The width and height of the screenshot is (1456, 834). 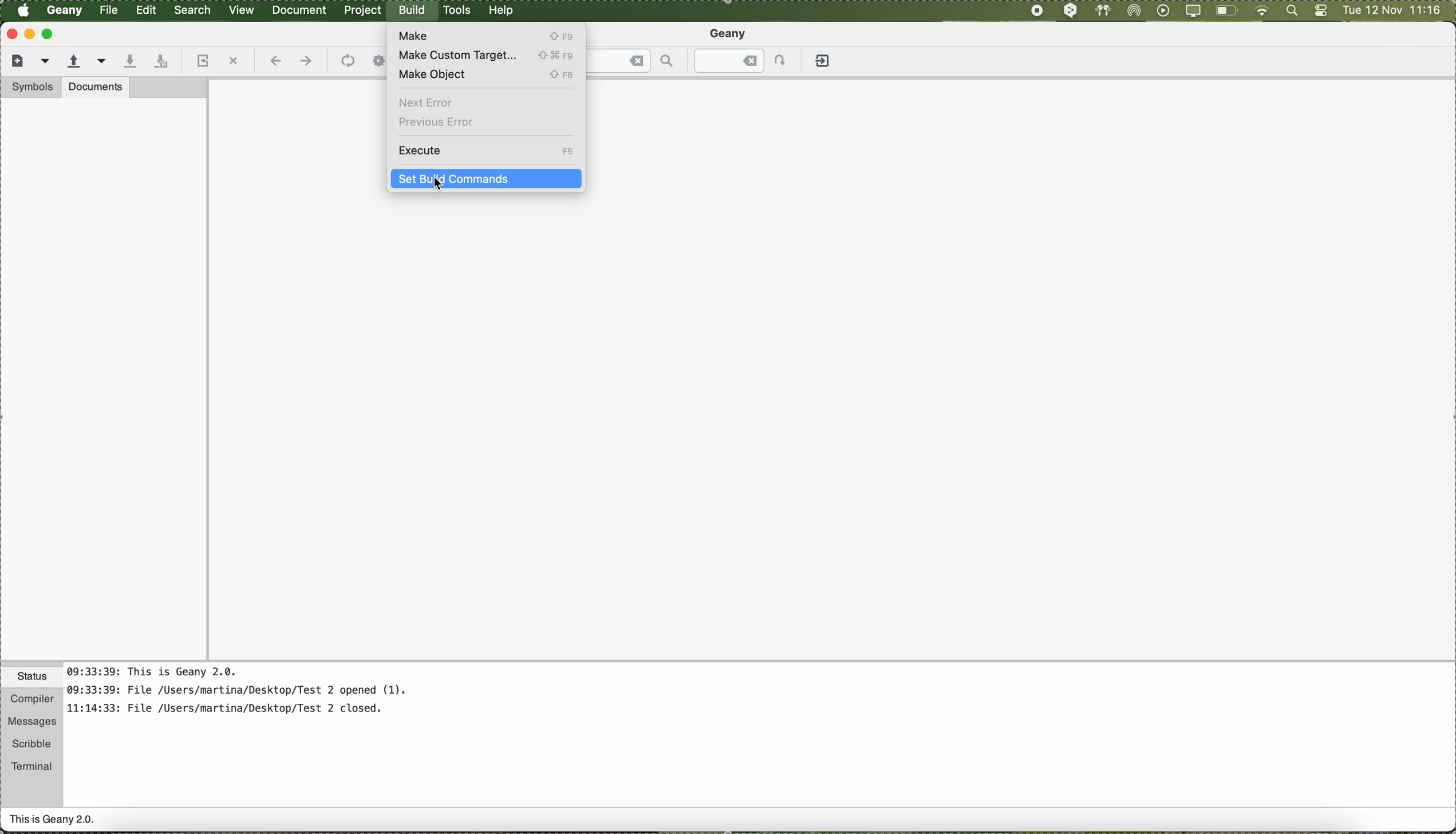 What do you see at coordinates (437, 123) in the screenshot?
I see `previous error` at bounding box center [437, 123].